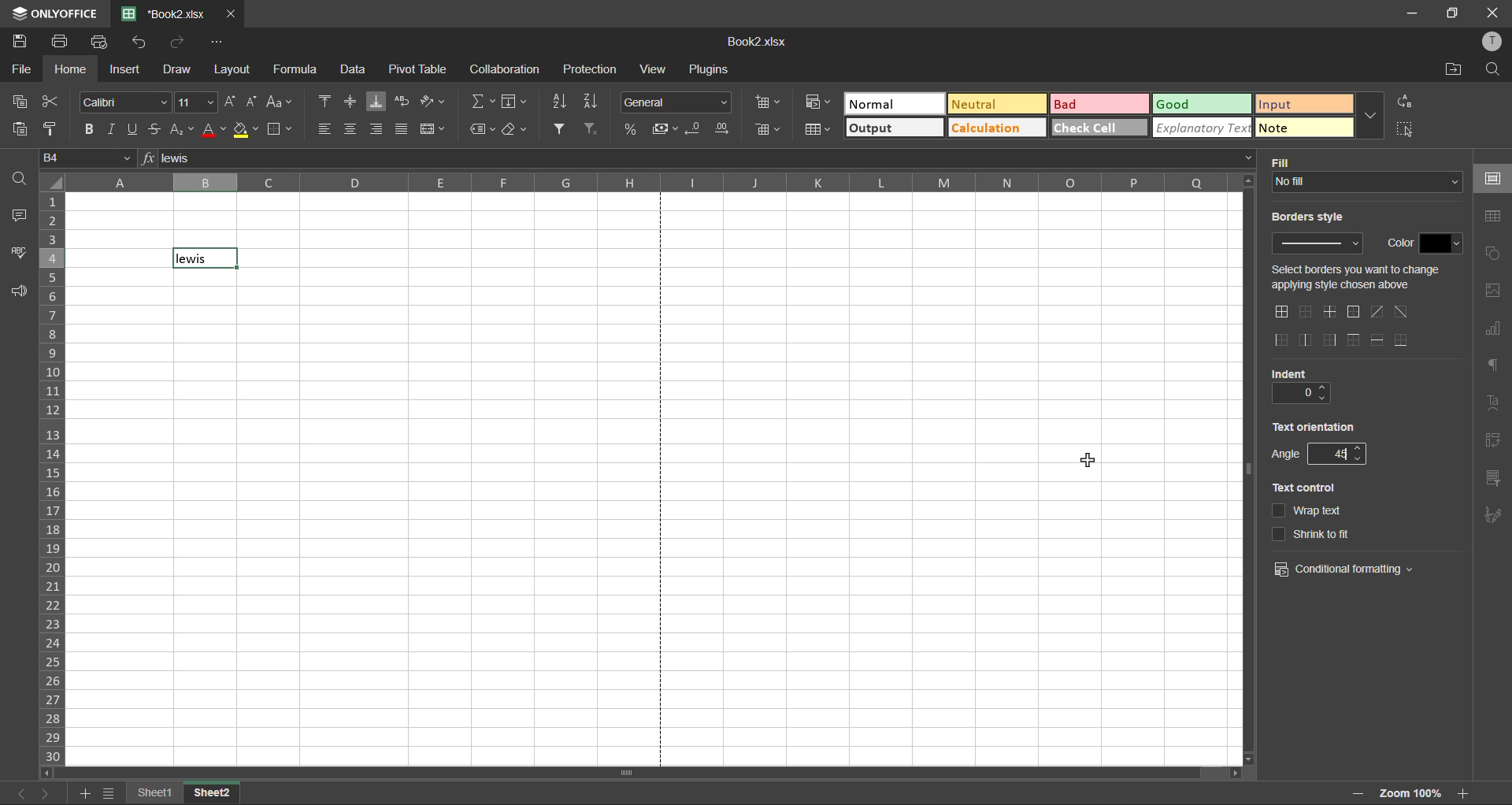 Image resolution: width=1512 pixels, height=805 pixels. Describe the element at coordinates (1249, 181) in the screenshot. I see `move up` at that location.